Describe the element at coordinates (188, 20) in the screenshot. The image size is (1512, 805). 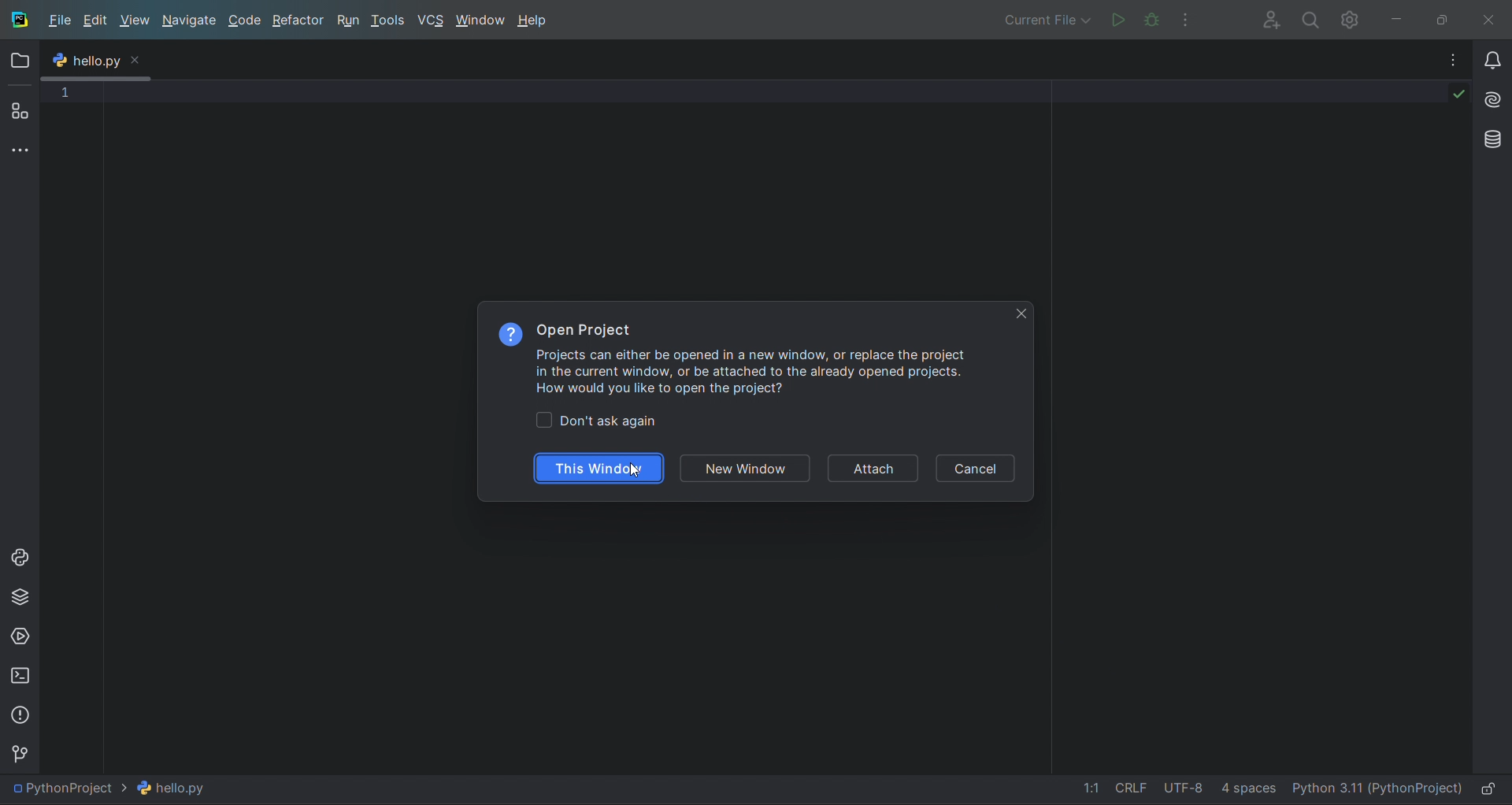
I see `navigate` at that location.